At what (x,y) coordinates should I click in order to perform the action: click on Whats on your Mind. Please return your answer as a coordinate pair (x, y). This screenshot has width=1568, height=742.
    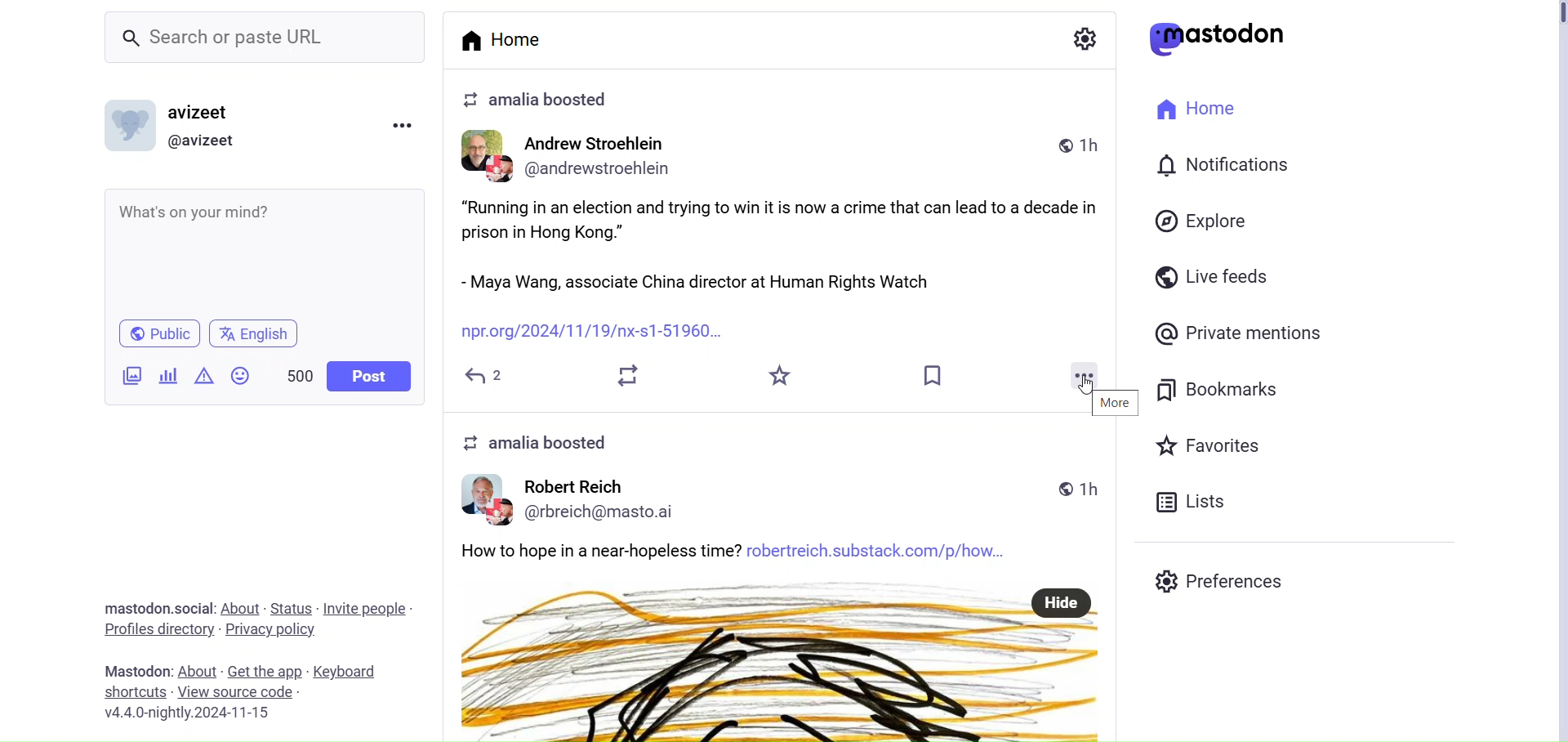
    Looking at the image, I should click on (269, 251).